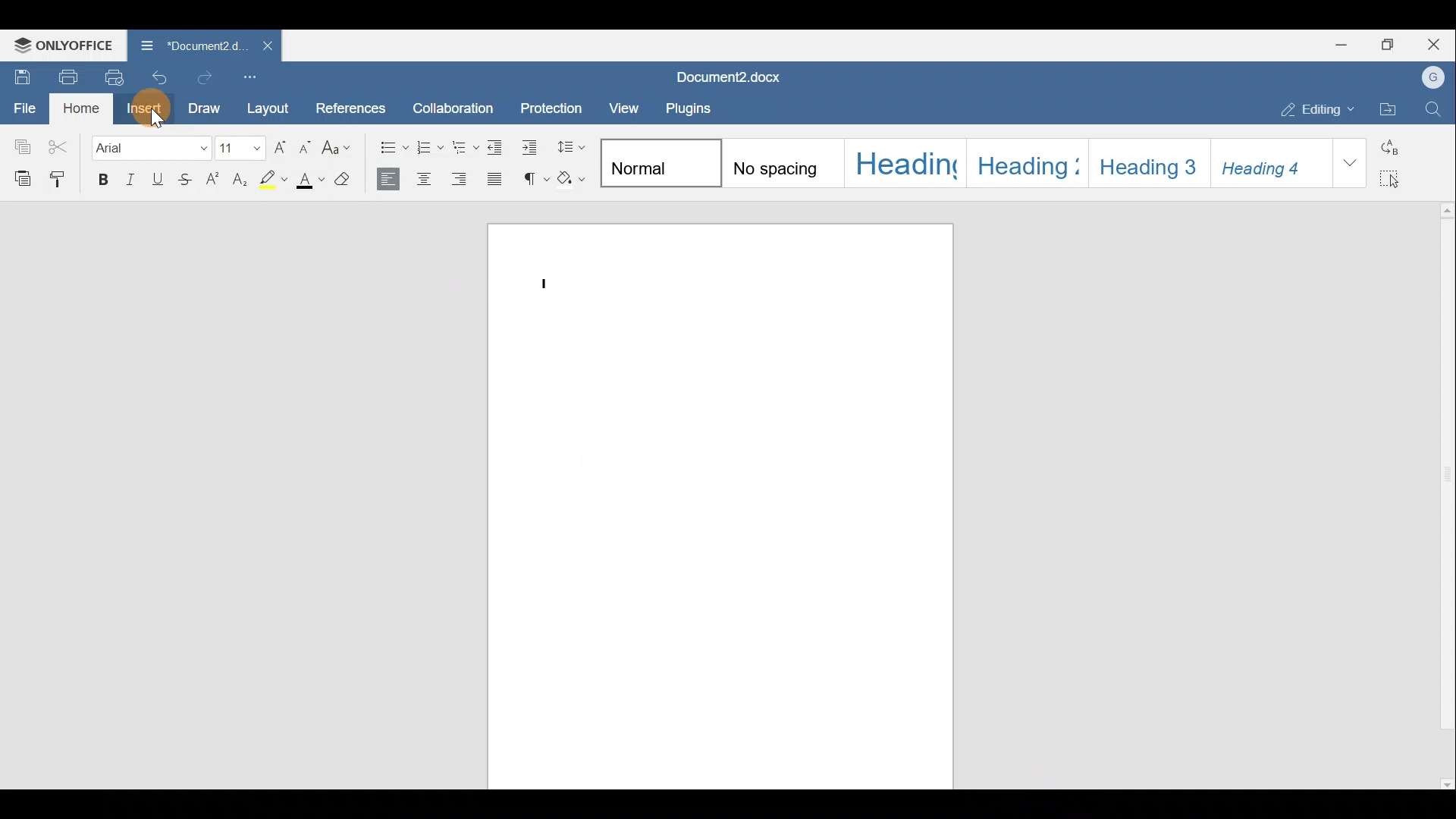 The width and height of the screenshot is (1456, 819). Describe the element at coordinates (574, 145) in the screenshot. I see `Paragraph line spacing` at that location.